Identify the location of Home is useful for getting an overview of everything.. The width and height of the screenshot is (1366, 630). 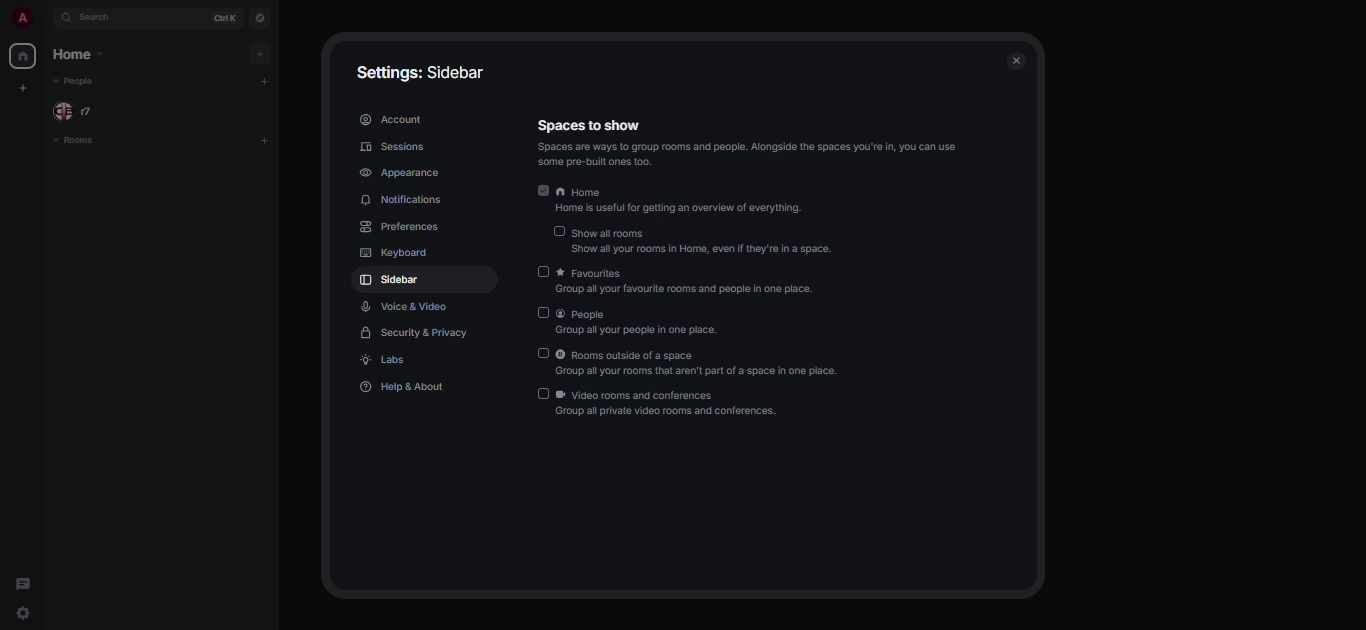
(699, 207).